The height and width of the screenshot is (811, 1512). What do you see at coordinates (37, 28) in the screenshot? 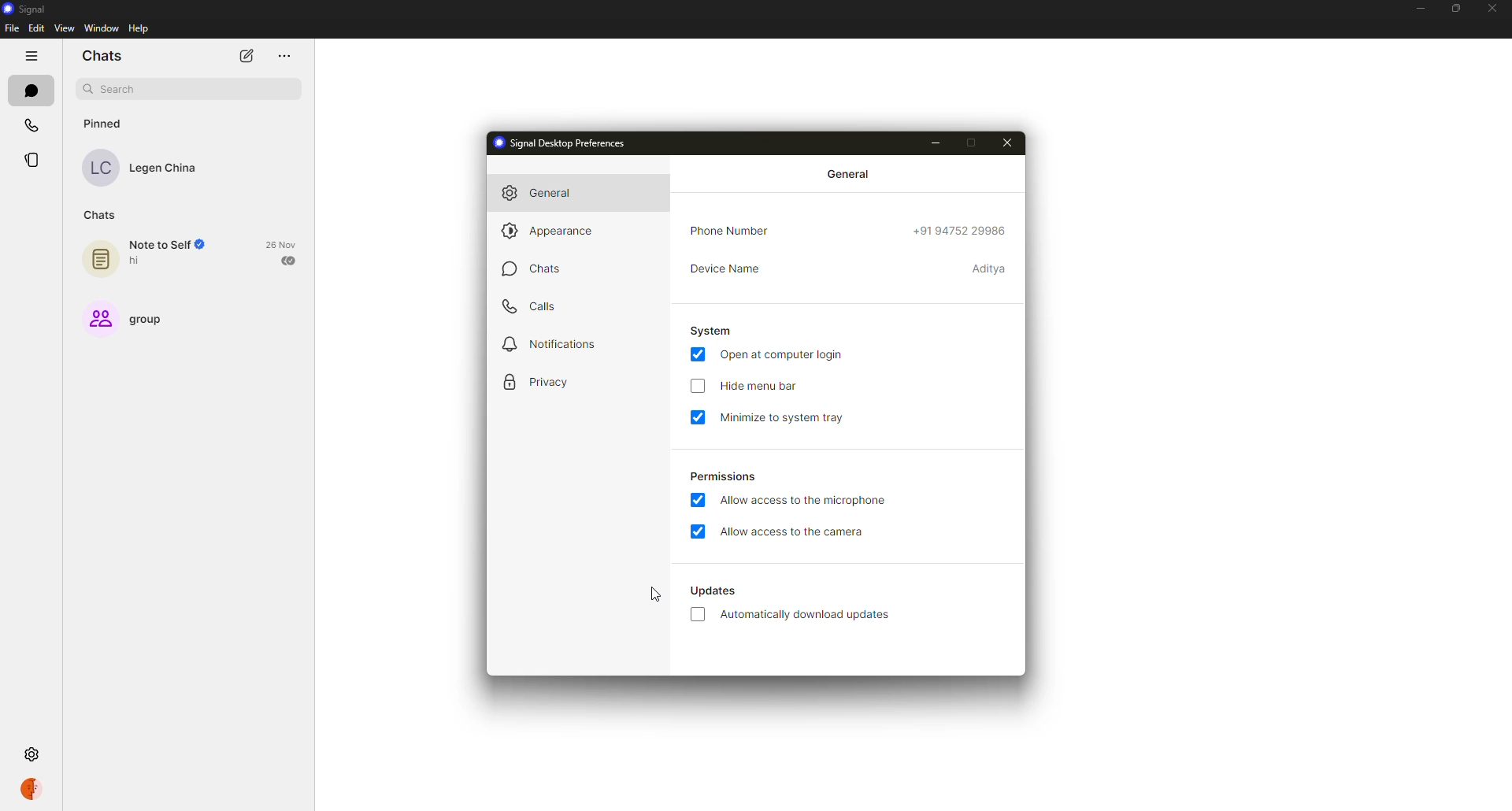
I see `edit` at bounding box center [37, 28].